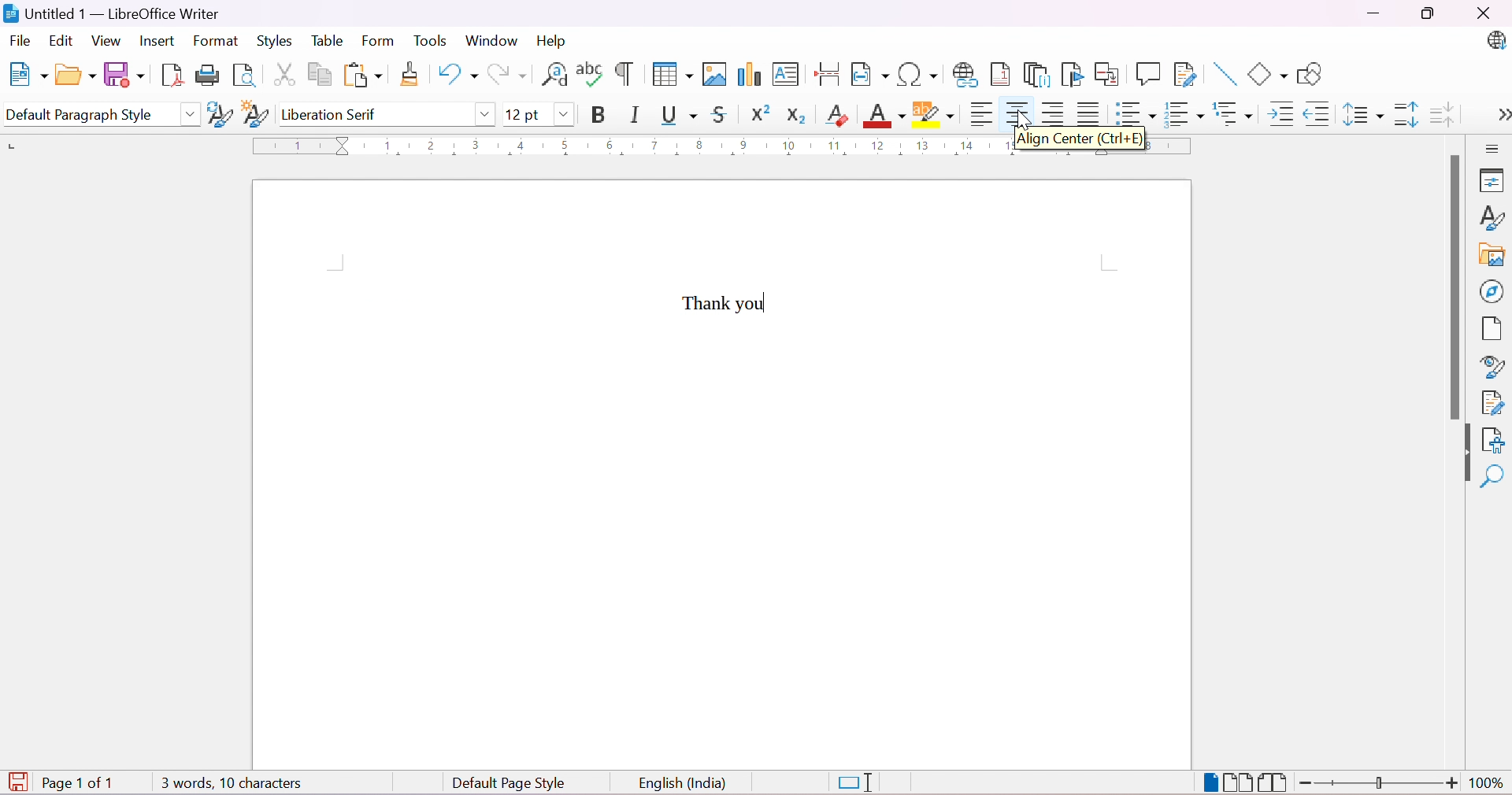  I want to click on Align Center (Ctrl+E), so click(1080, 140).